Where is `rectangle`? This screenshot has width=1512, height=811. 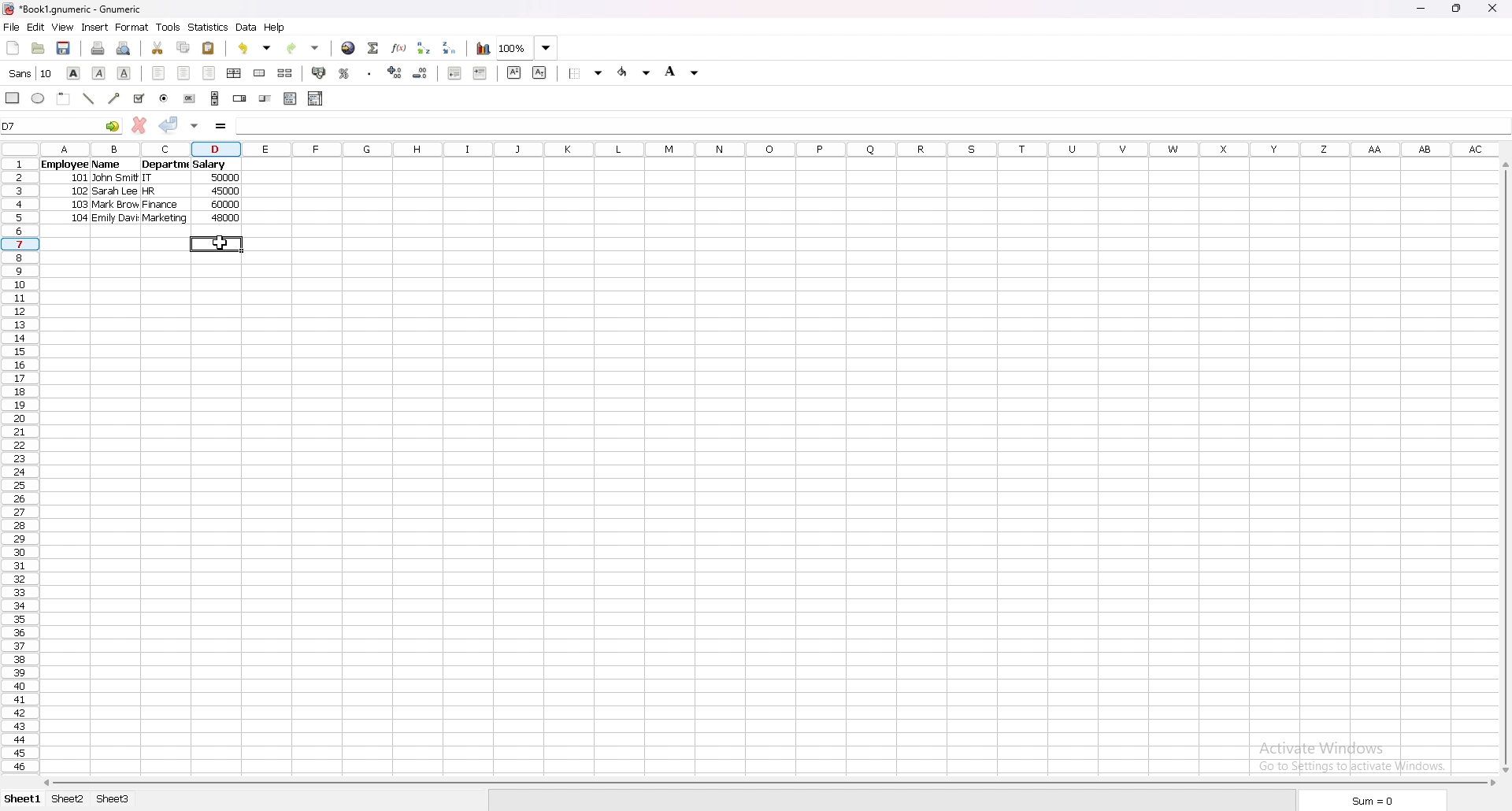
rectangle is located at coordinates (13, 98).